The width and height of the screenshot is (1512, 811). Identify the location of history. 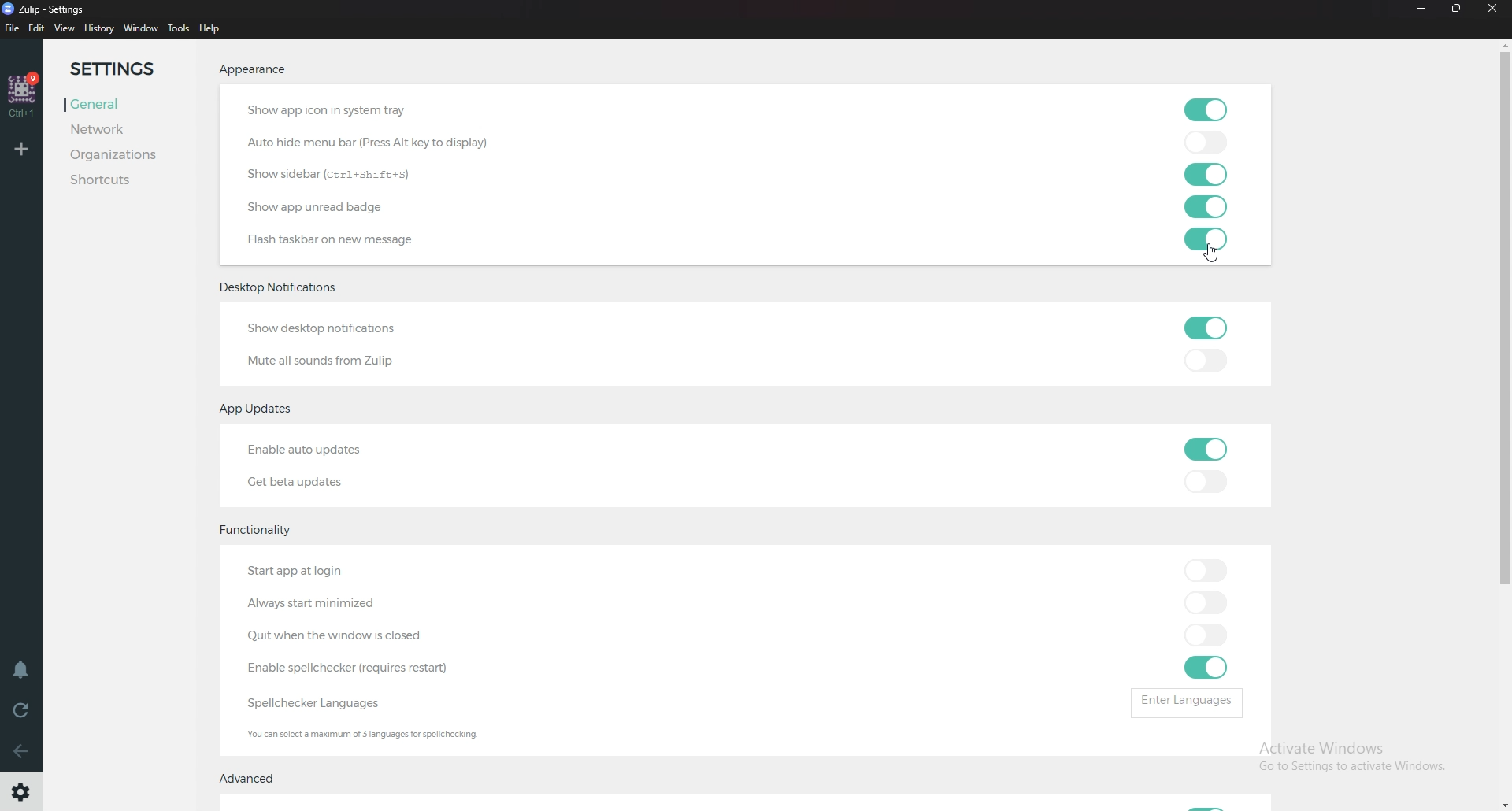
(98, 28).